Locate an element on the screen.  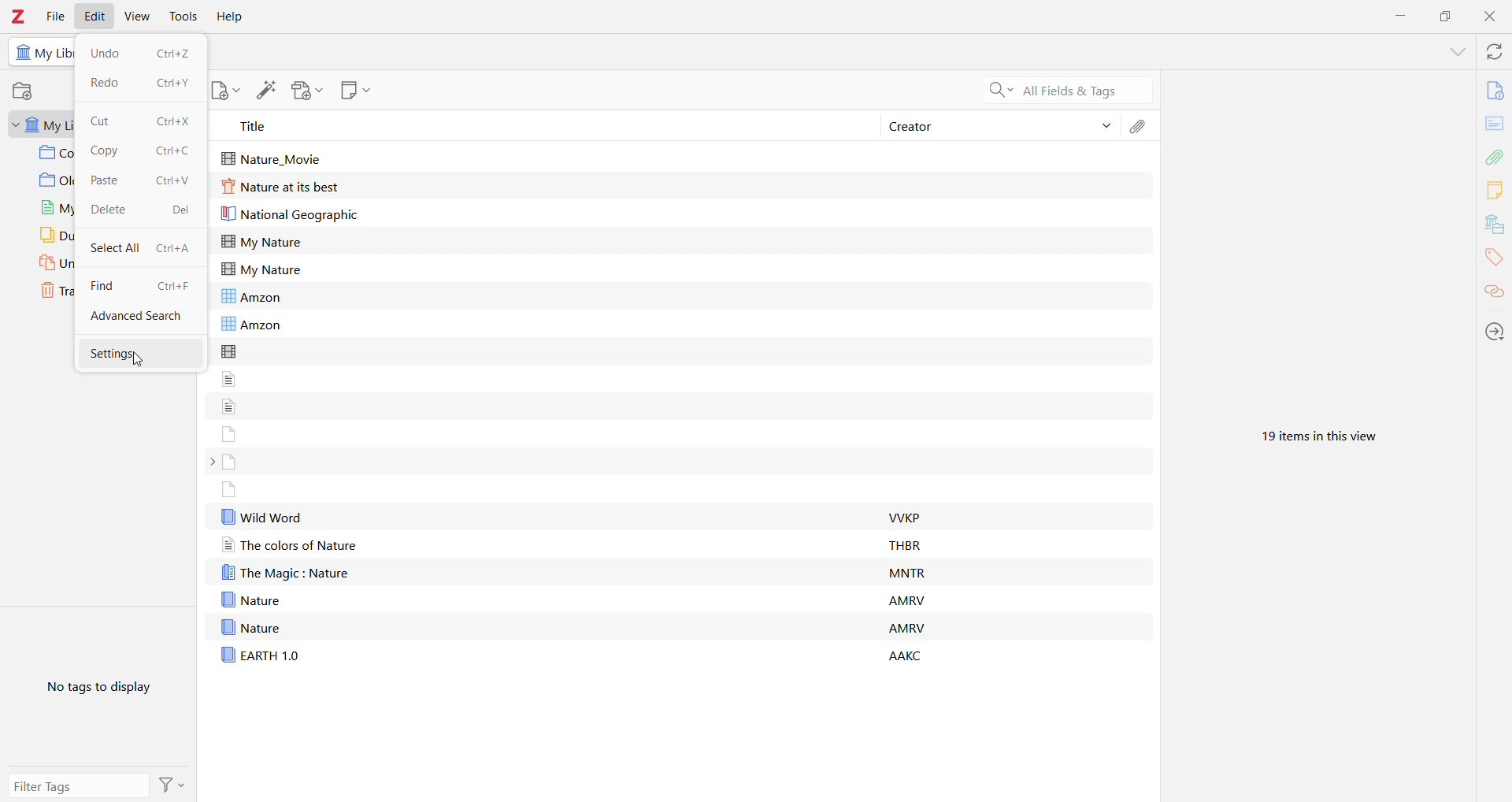
Cri+A is located at coordinates (174, 249).